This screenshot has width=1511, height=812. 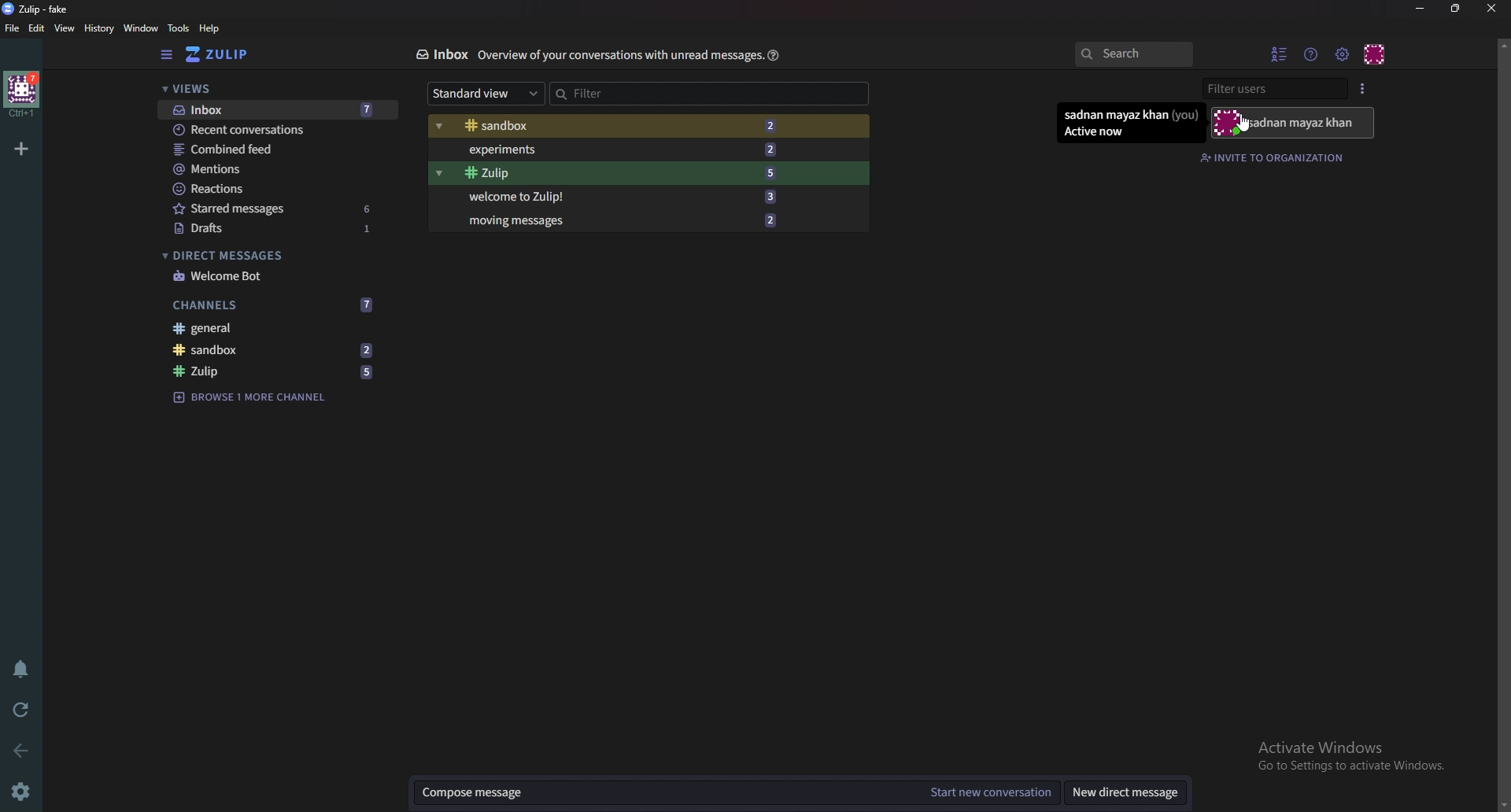 What do you see at coordinates (1373, 52) in the screenshot?
I see `Personal menu` at bounding box center [1373, 52].